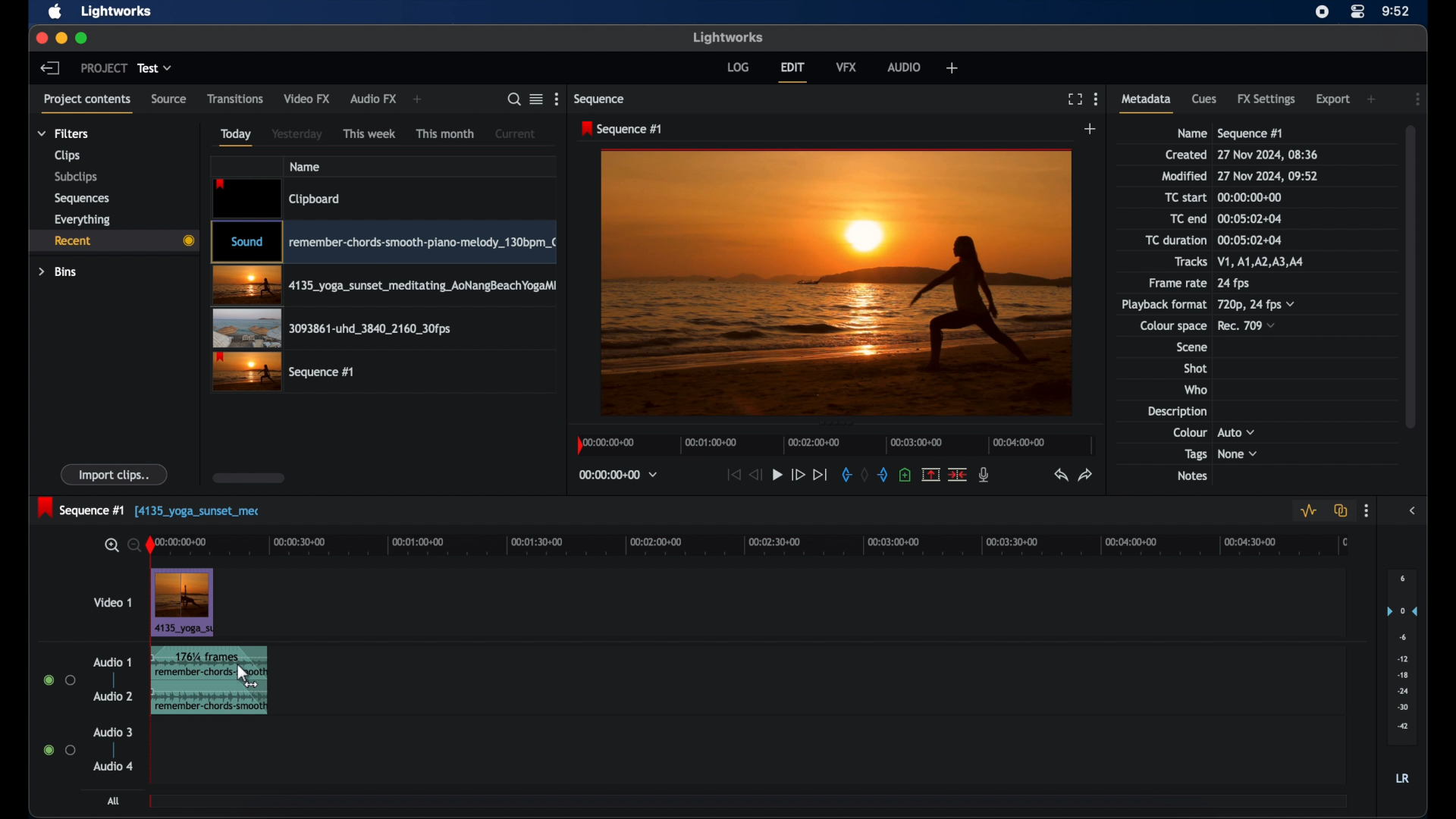 The height and width of the screenshot is (819, 1456). What do you see at coordinates (61, 38) in the screenshot?
I see `minimize` at bounding box center [61, 38].